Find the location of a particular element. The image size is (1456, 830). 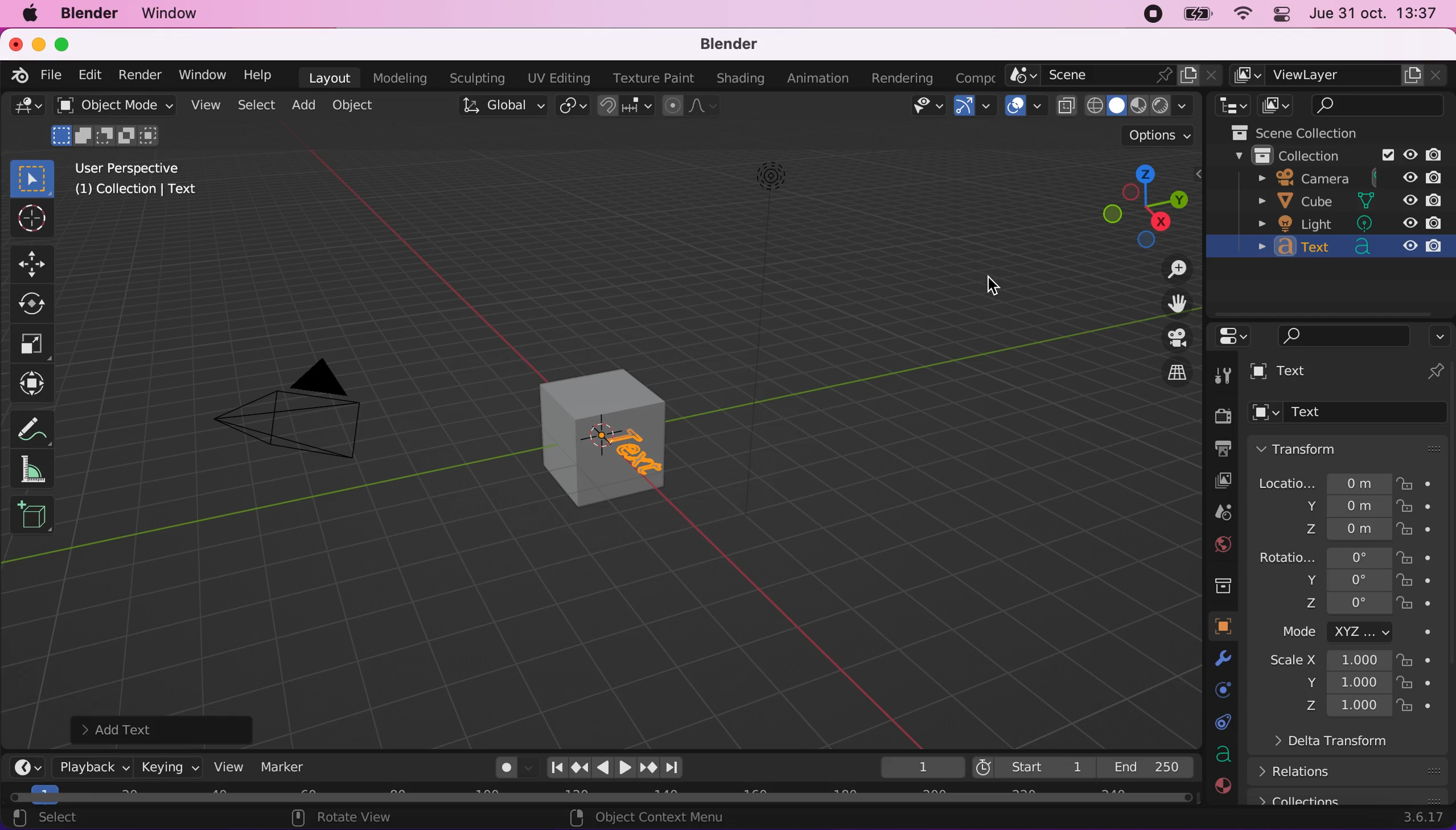

lock button is located at coordinates (1415, 556).